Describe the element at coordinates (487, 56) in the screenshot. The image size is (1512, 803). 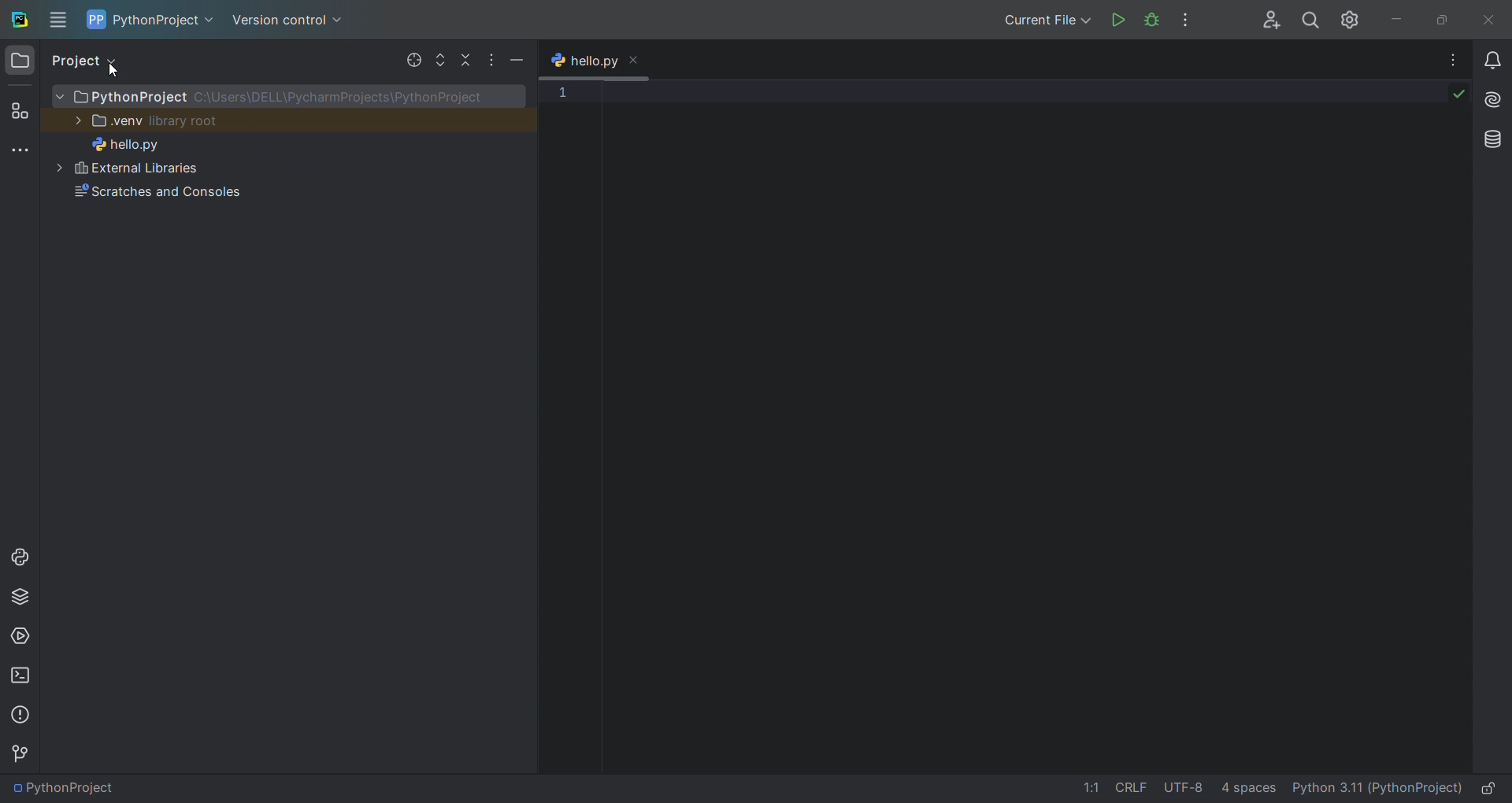
I see `options` at that location.